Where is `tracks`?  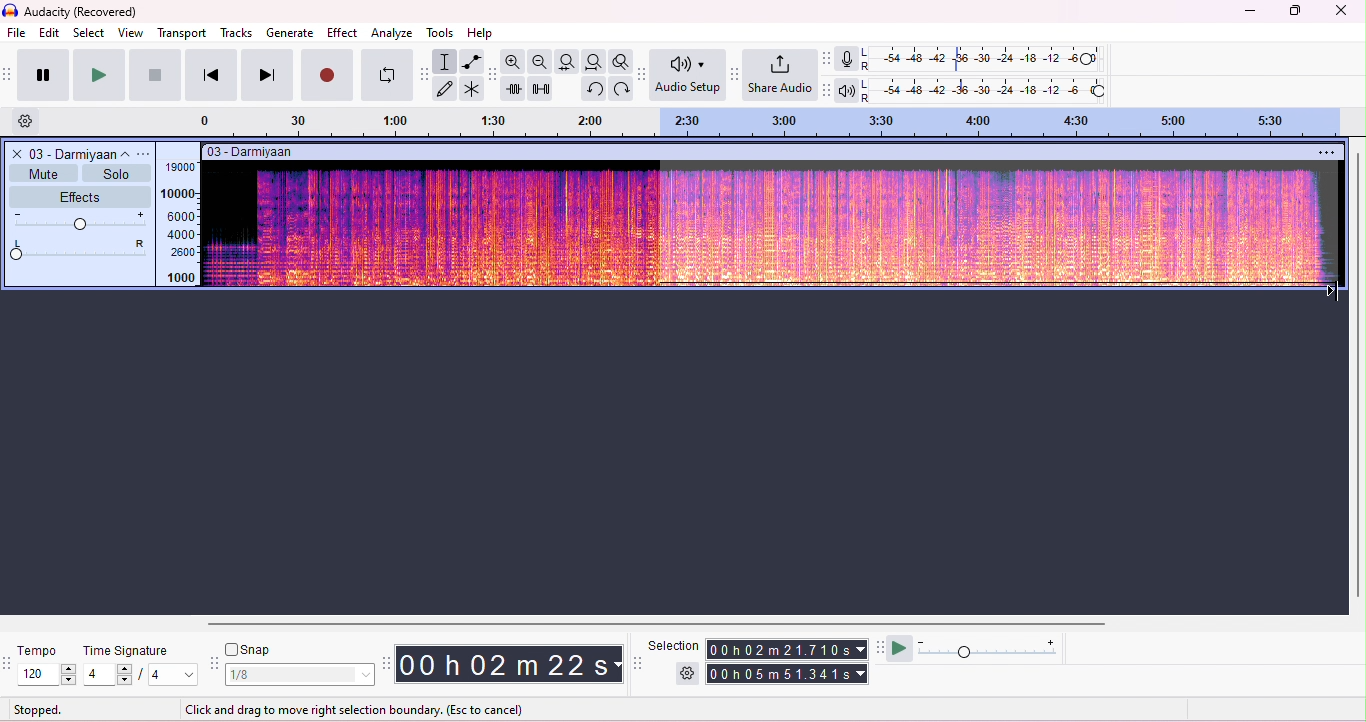 tracks is located at coordinates (236, 33).